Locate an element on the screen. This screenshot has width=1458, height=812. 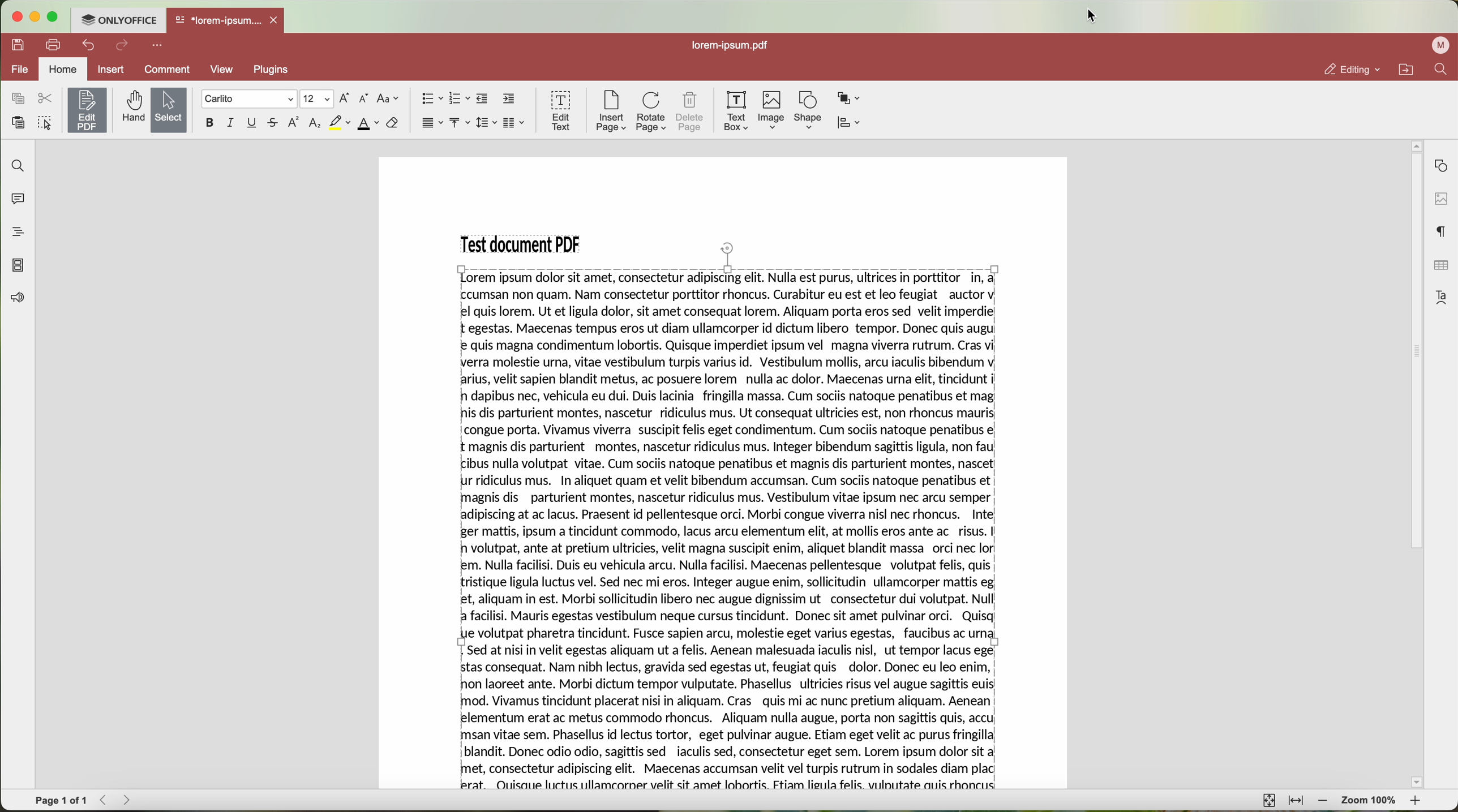
file is located at coordinates (18, 68).